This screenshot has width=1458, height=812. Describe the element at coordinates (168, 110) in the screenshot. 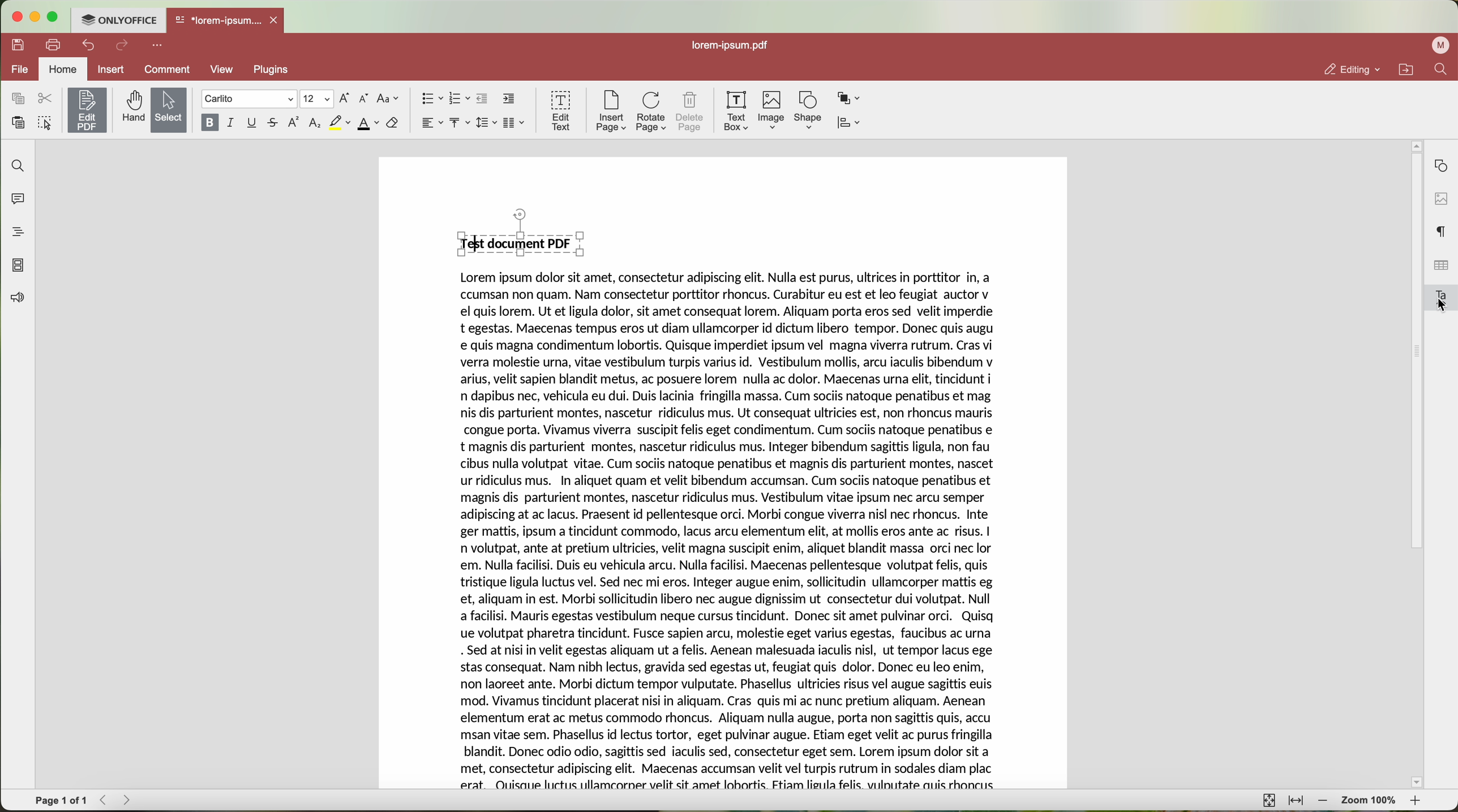

I see `select` at that location.